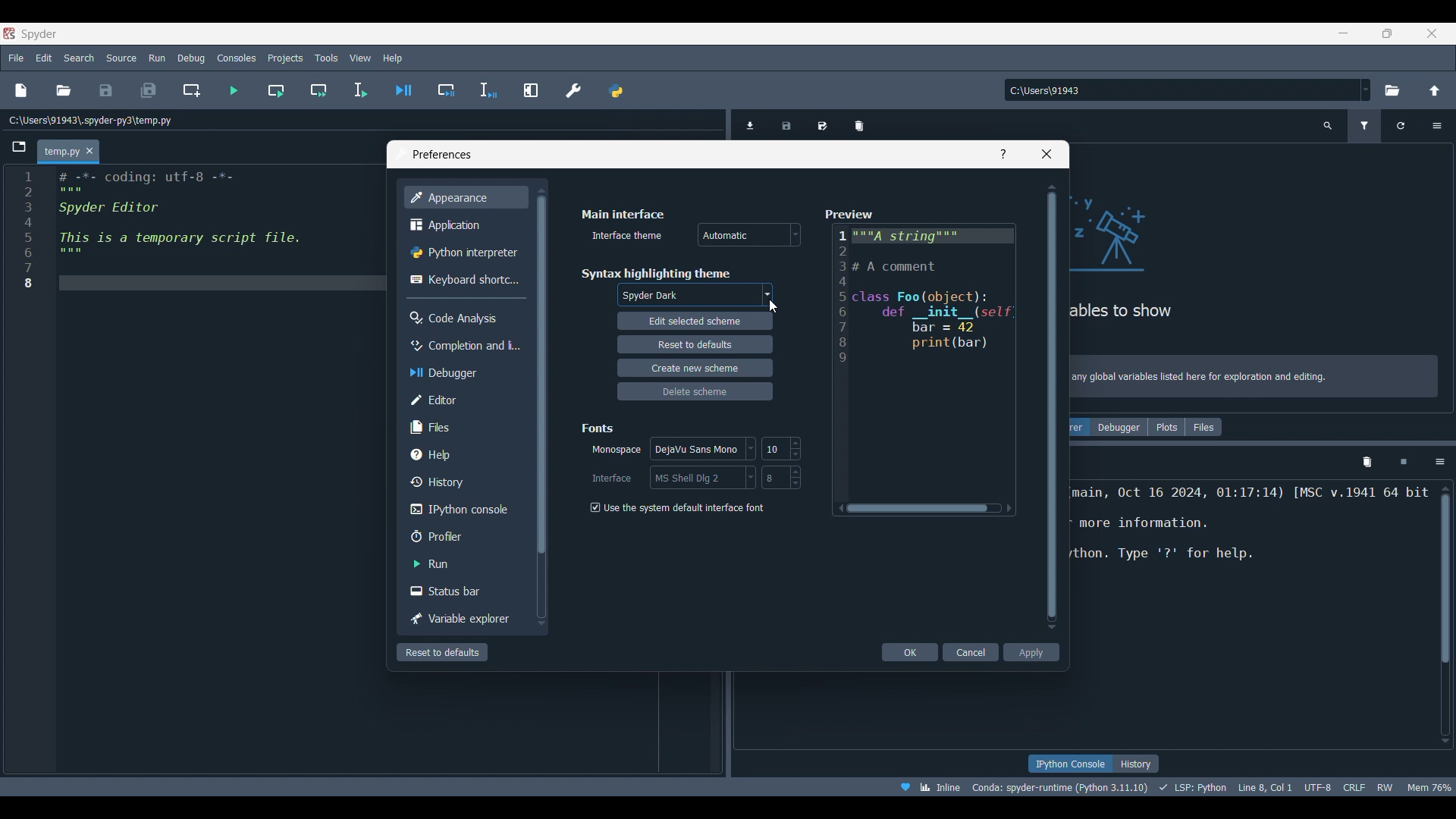 Image resolution: width=1456 pixels, height=819 pixels. I want to click on Save file, so click(107, 90).